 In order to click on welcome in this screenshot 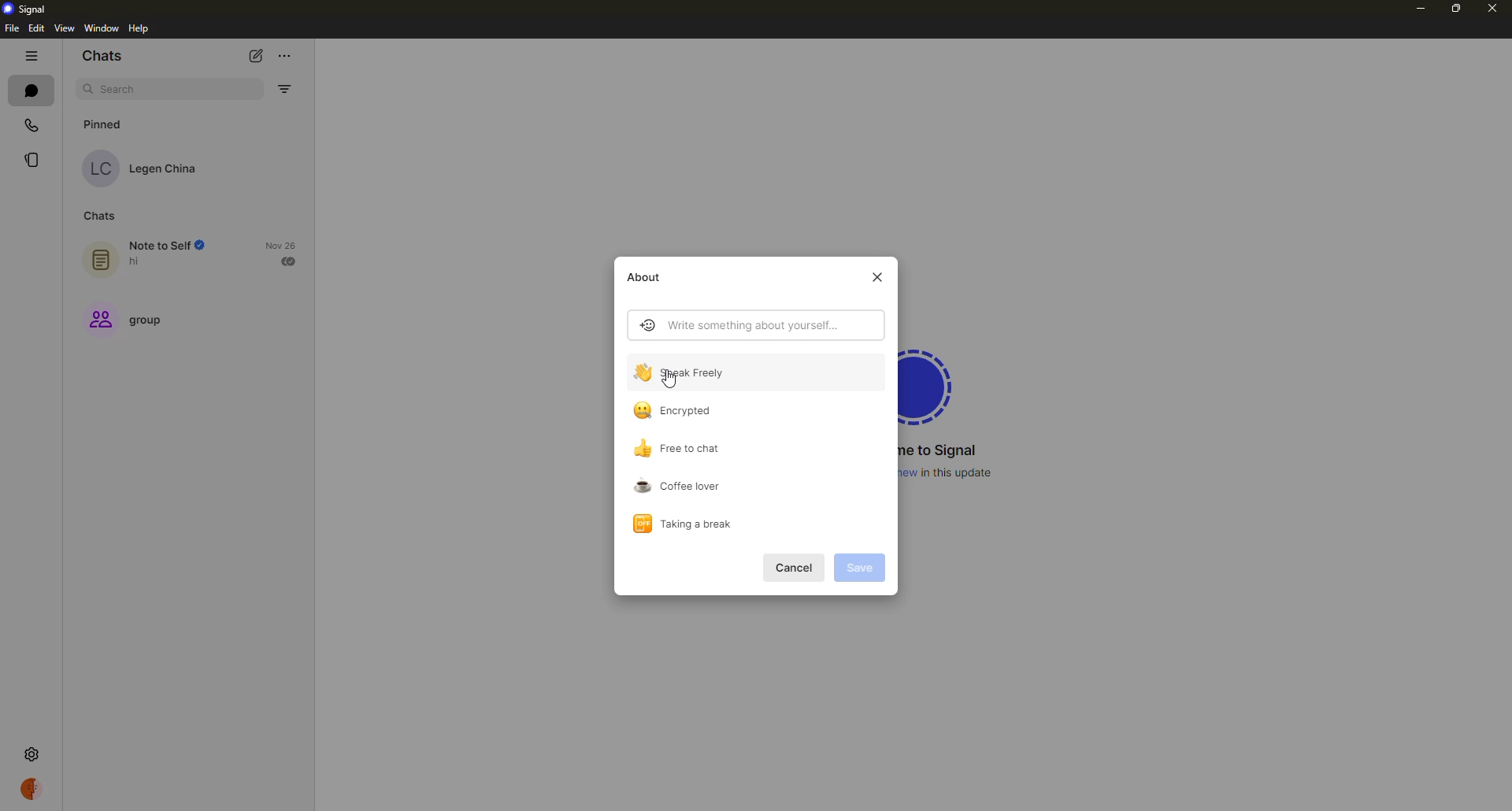, I will do `click(942, 450)`.